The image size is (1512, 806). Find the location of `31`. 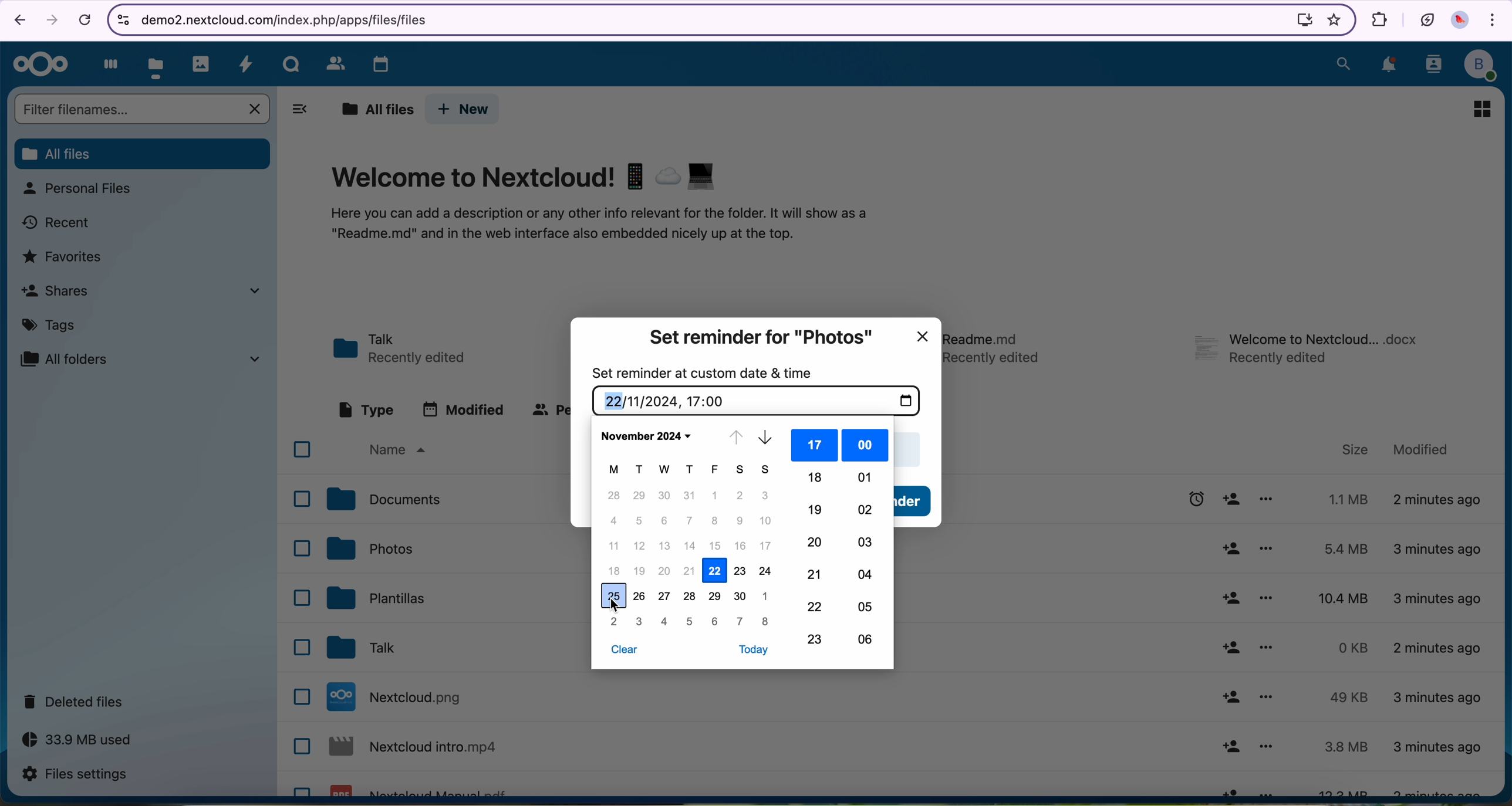

31 is located at coordinates (689, 495).